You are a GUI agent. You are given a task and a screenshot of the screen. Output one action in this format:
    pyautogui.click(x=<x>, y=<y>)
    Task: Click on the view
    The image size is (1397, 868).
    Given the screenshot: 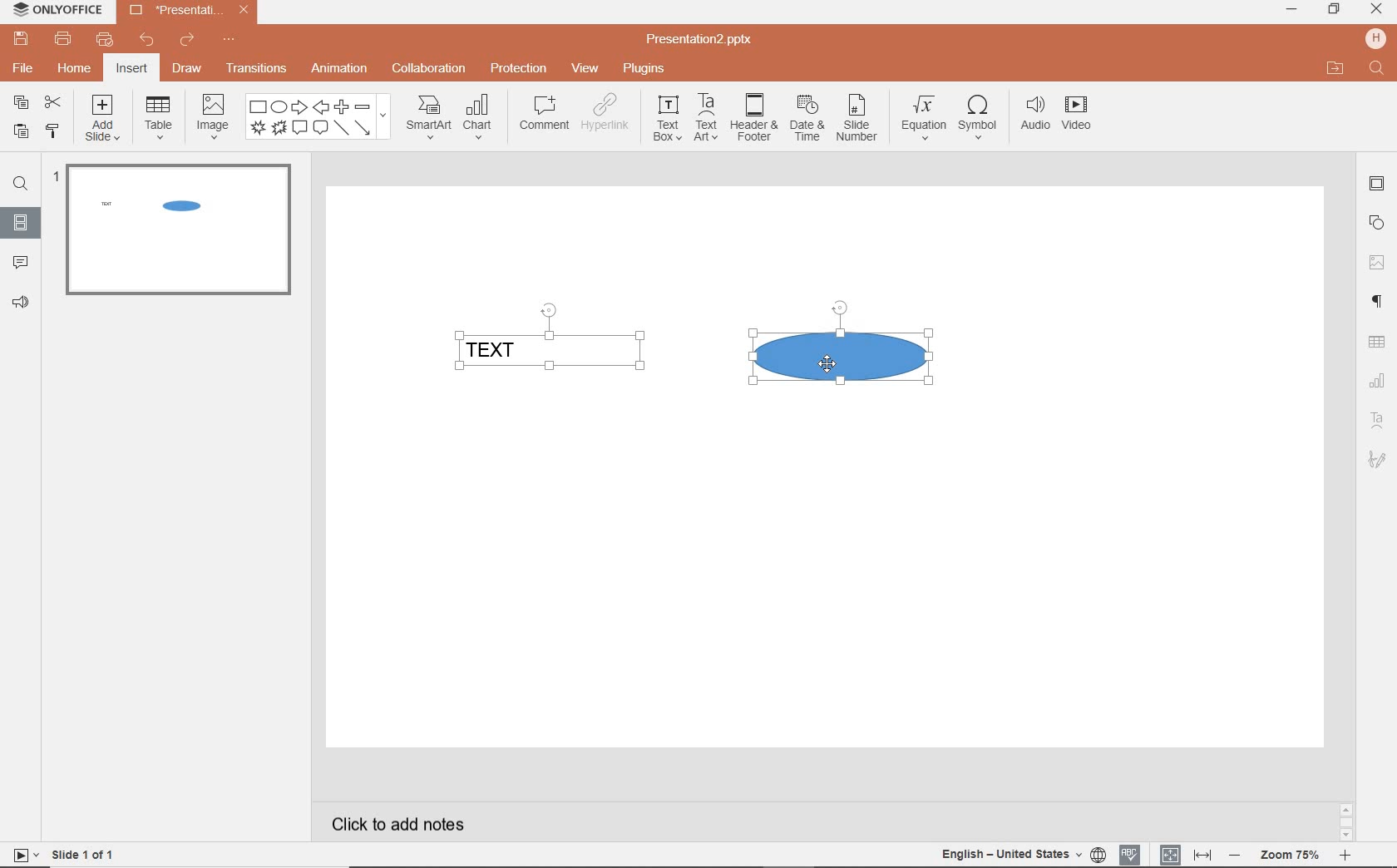 What is the action you would take?
    pyautogui.click(x=582, y=69)
    